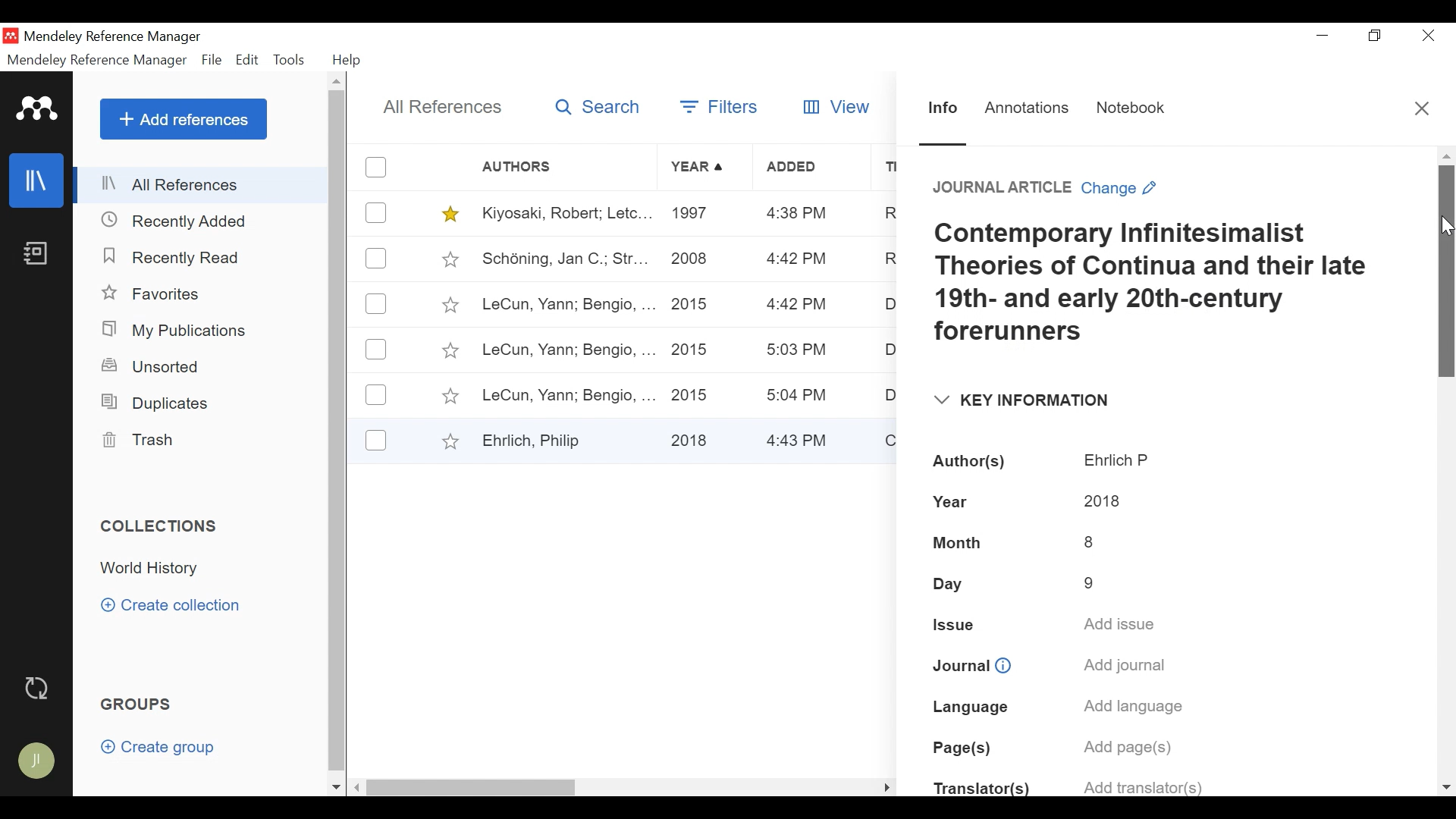  I want to click on Help, so click(347, 60).